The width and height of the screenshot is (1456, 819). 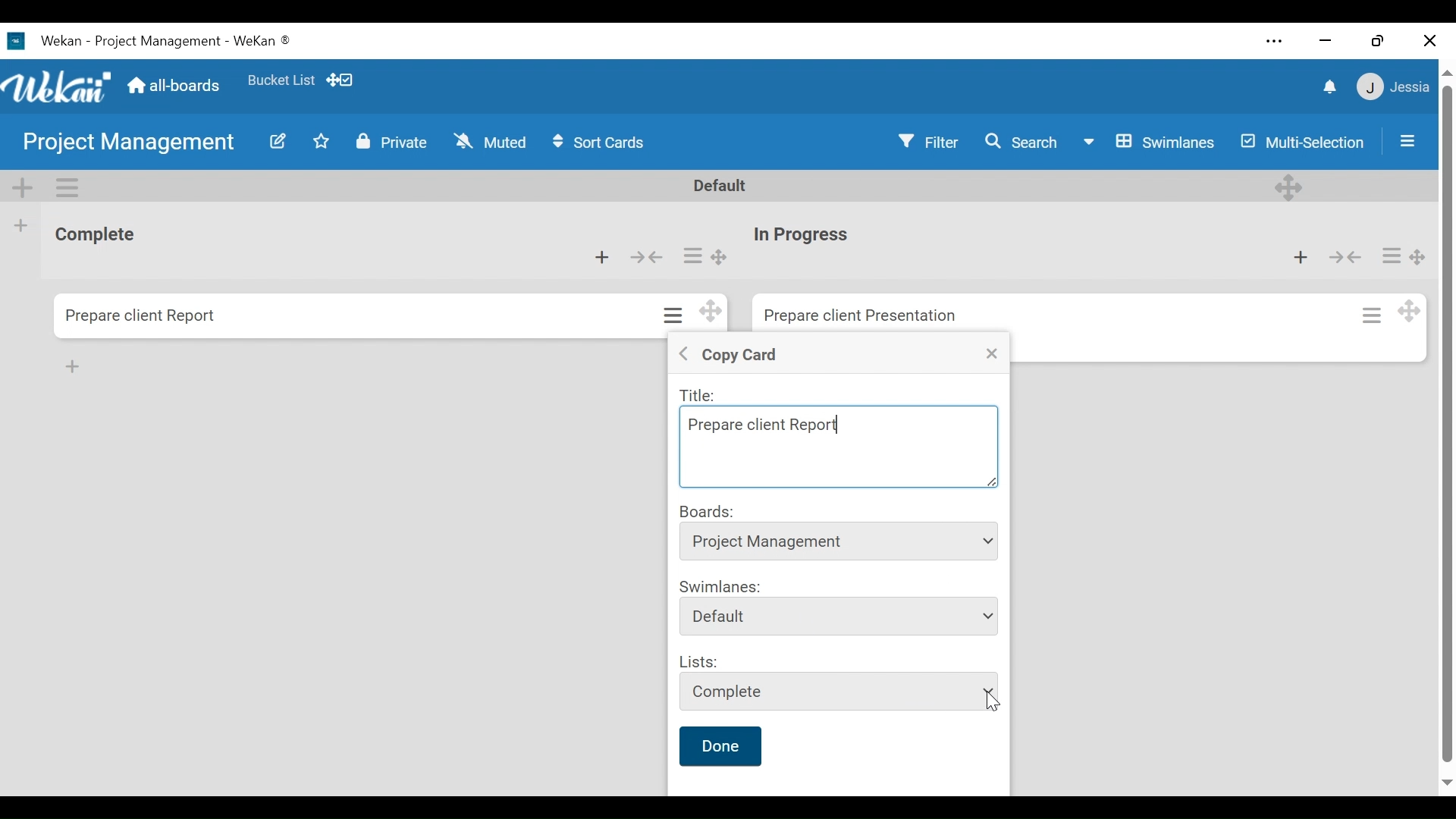 I want to click on Desktop drag handles, so click(x=340, y=80).